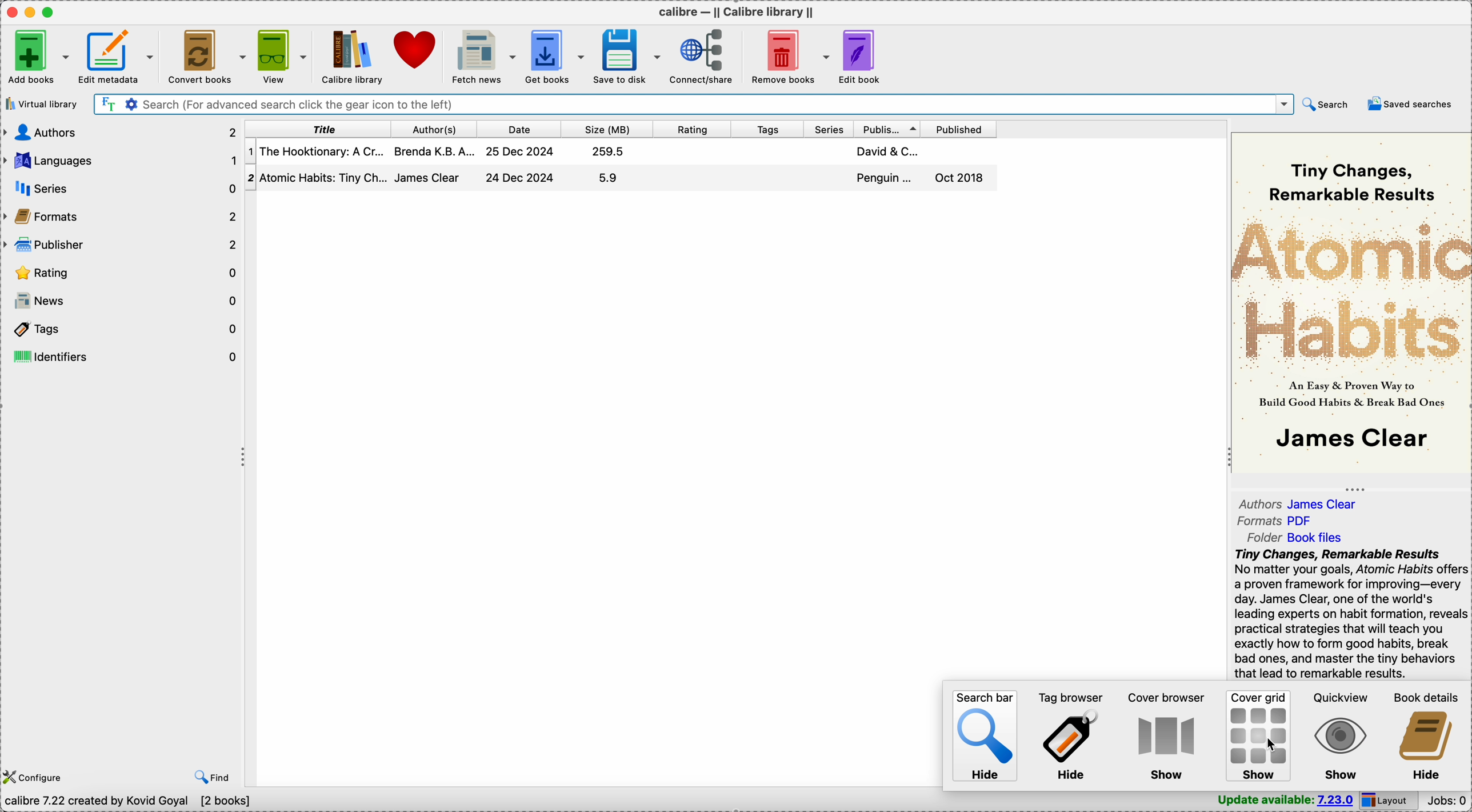 This screenshot has height=812, width=1472. What do you see at coordinates (1297, 503) in the screenshot?
I see `authors james clear` at bounding box center [1297, 503].